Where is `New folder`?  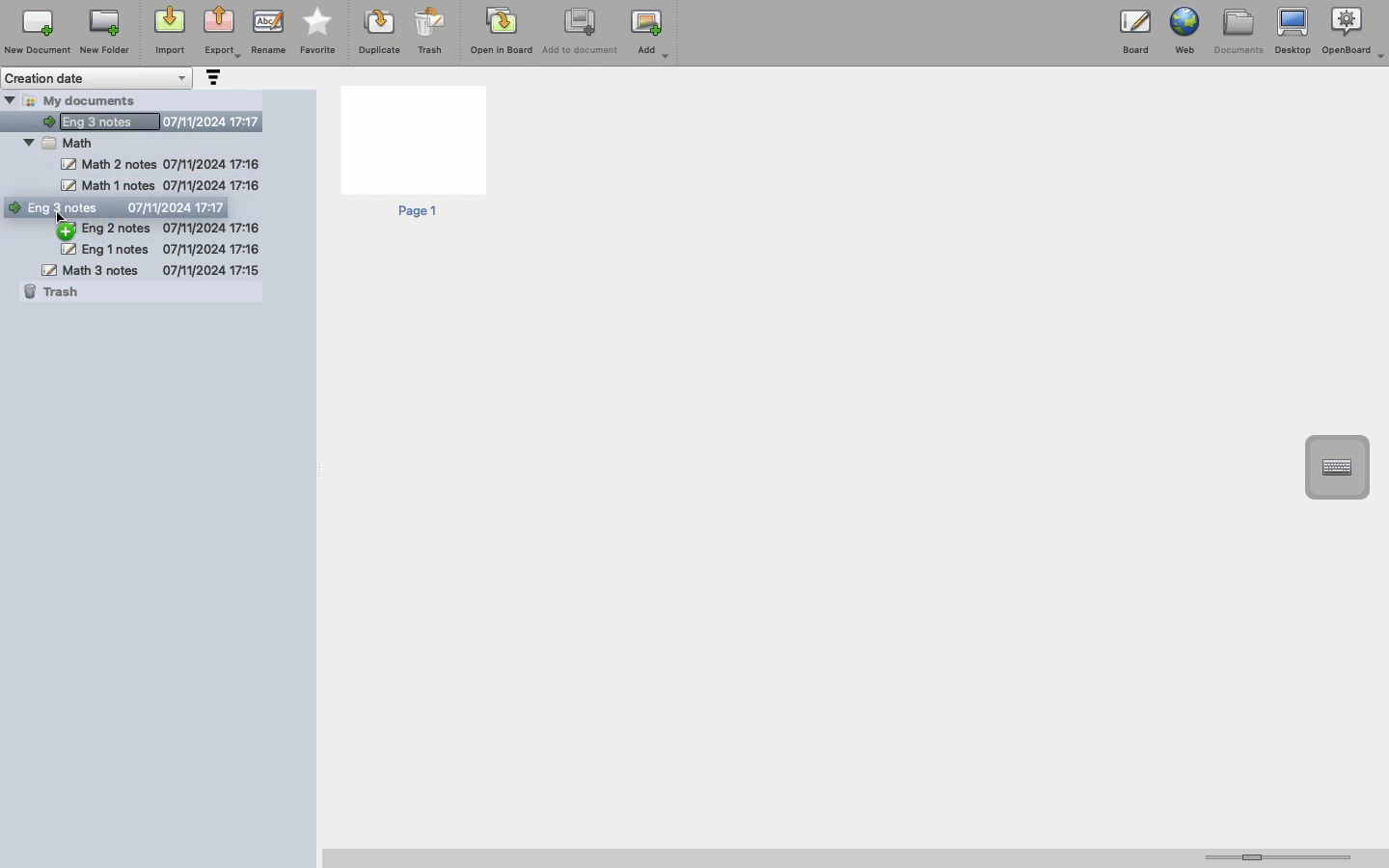 New folder is located at coordinates (103, 33).